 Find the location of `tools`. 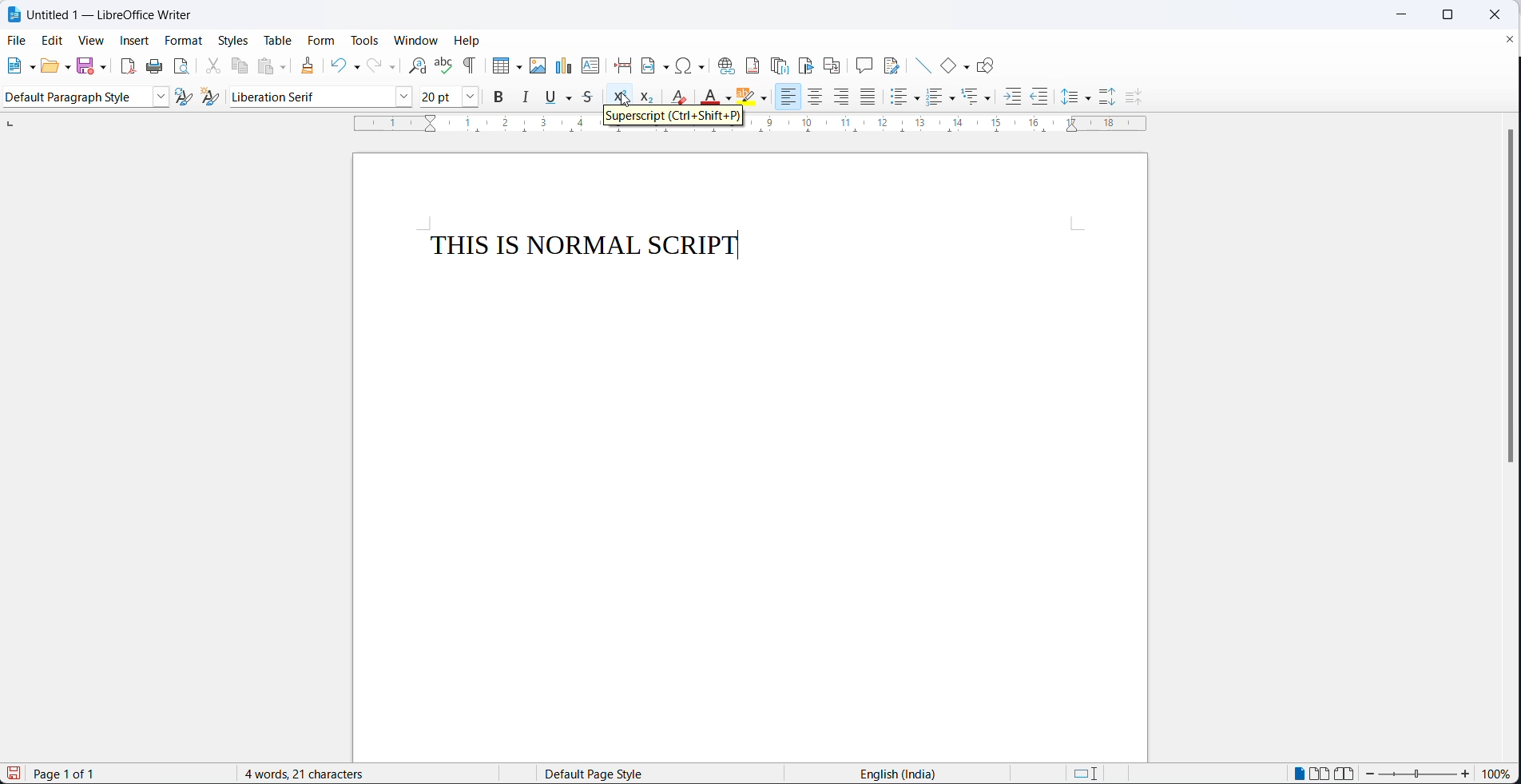

tools is located at coordinates (364, 42).